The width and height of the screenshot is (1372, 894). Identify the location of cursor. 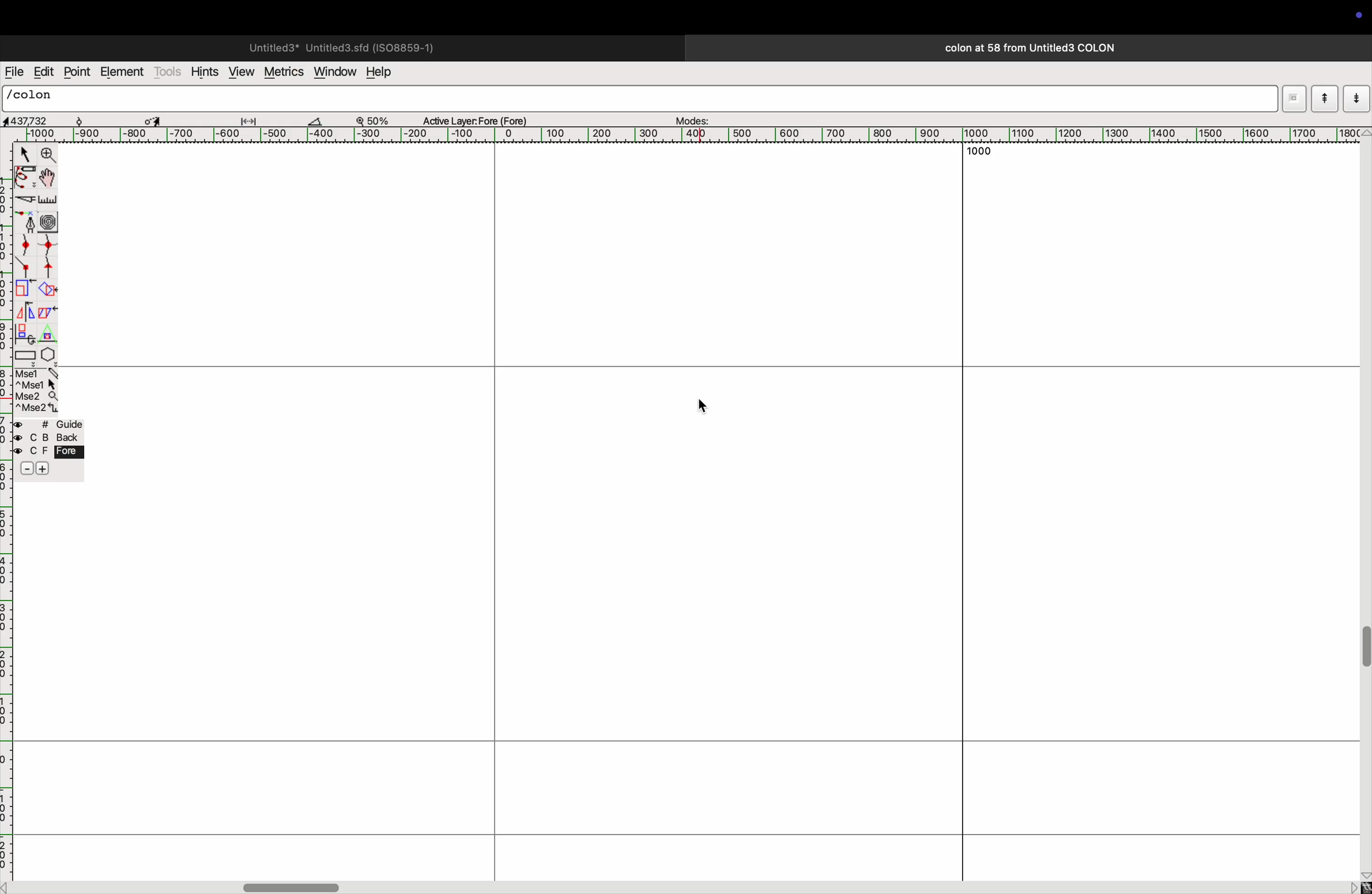
(712, 407).